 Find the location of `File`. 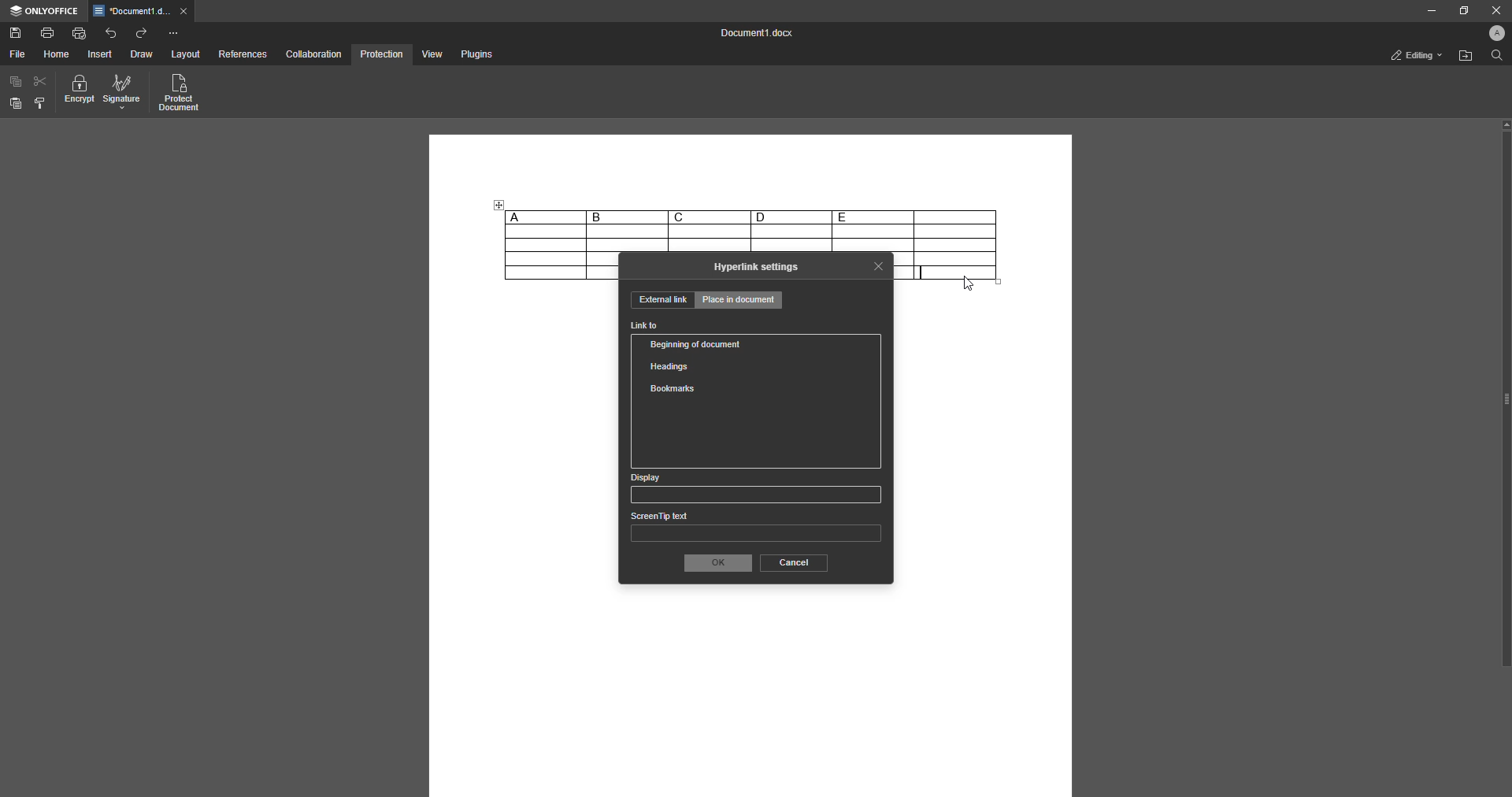

File is located at coordinates (17, 54).